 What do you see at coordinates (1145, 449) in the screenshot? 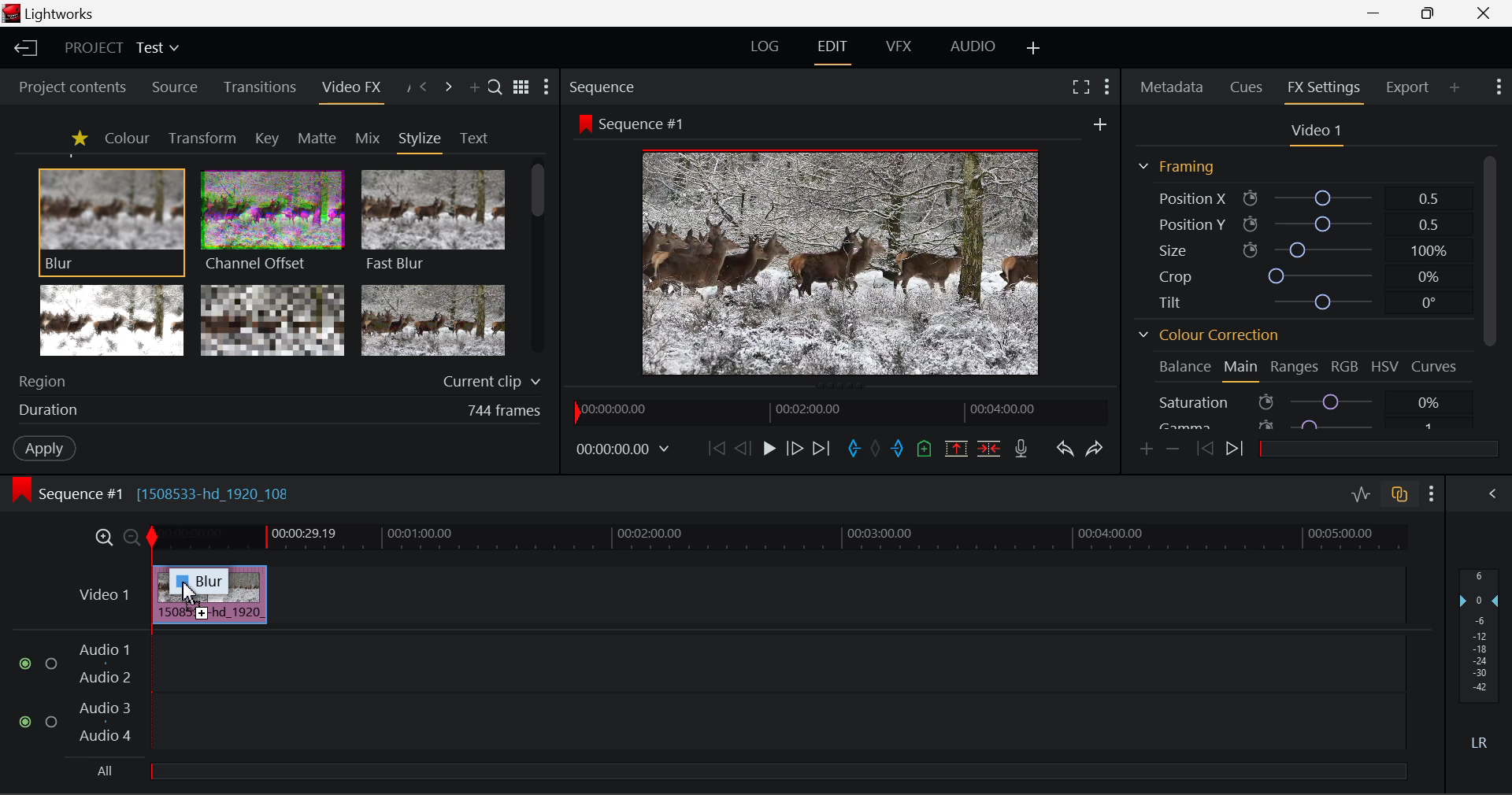
I see `Add keyframe` at bounding box center [1145, 449].